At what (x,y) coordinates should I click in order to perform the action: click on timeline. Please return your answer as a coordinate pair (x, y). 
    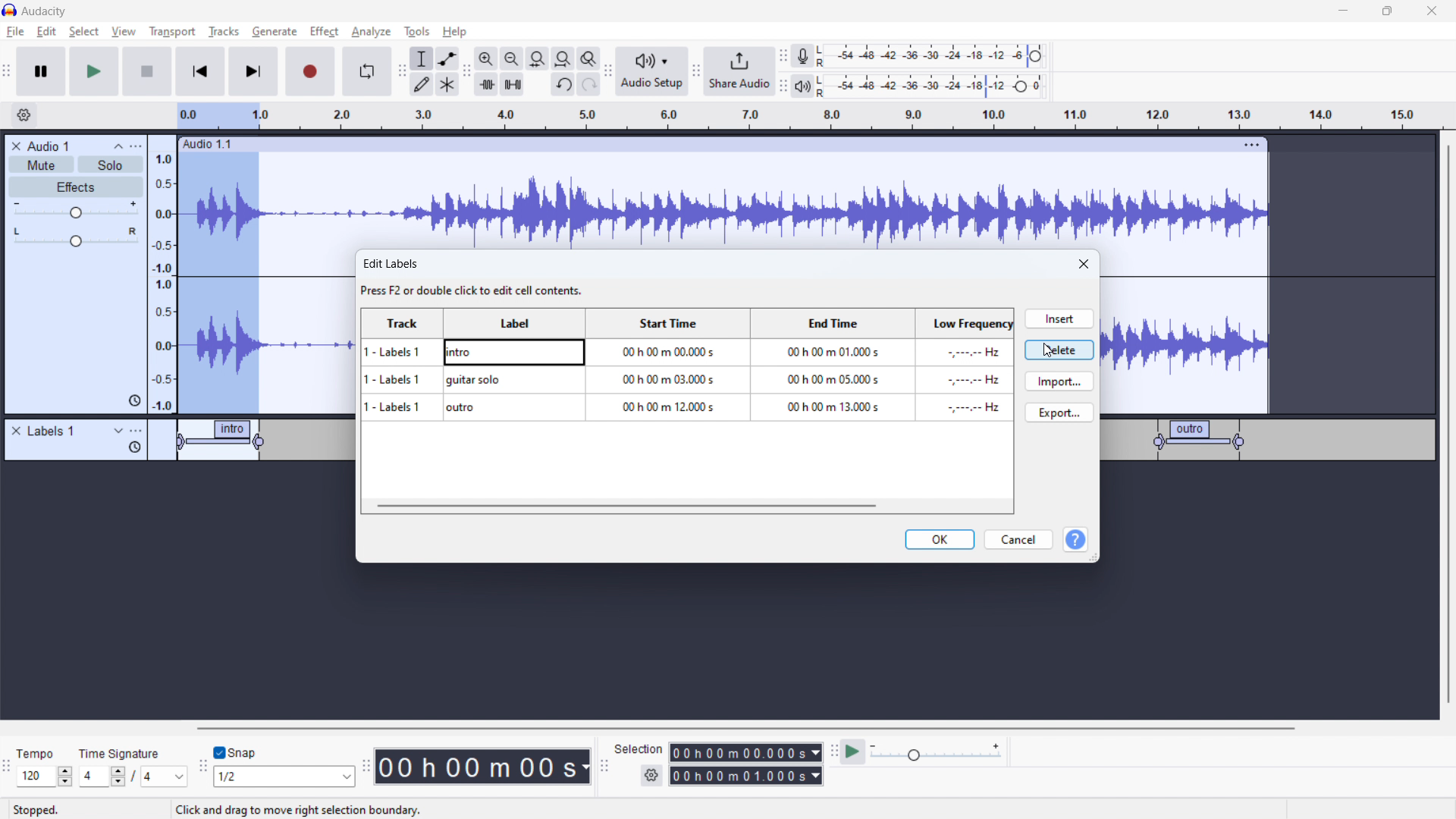
    Looking at the image, I should click on (724, 636).